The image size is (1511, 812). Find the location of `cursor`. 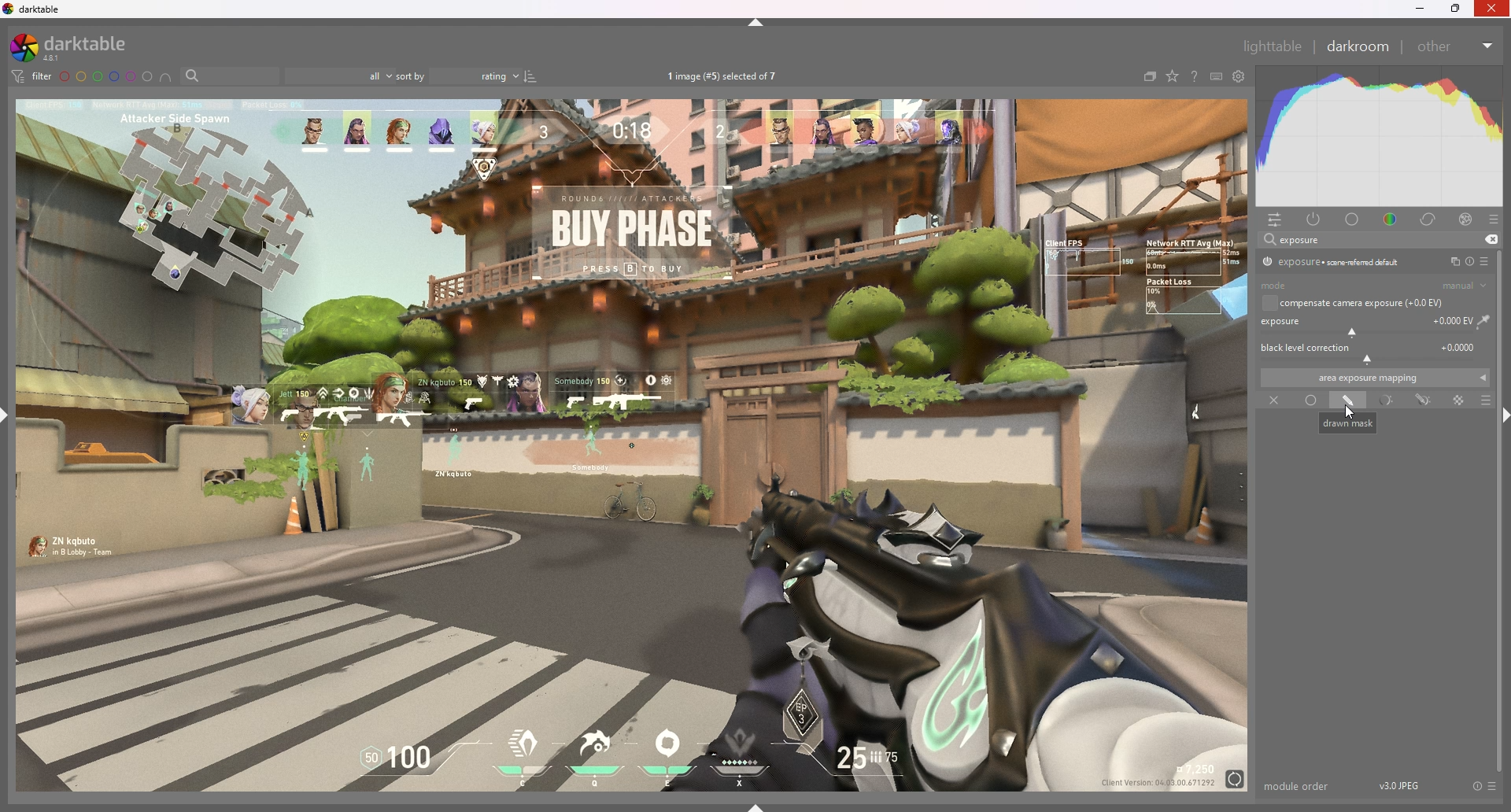

cursor is located at coordinates (1353, 413).